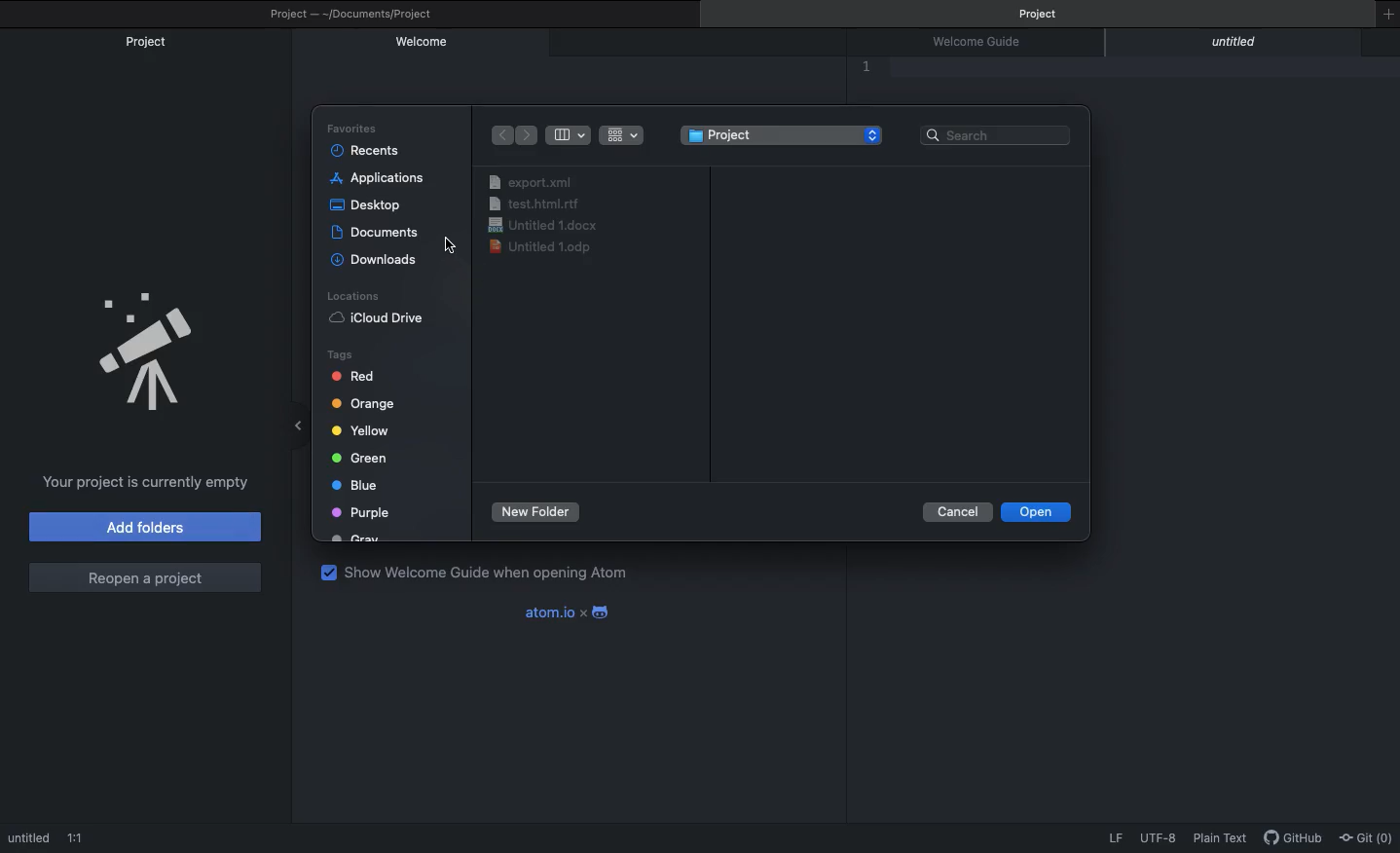 The height and width of the screenshot is (853, 1400). I want to click on Grid view, so click(622, 136).